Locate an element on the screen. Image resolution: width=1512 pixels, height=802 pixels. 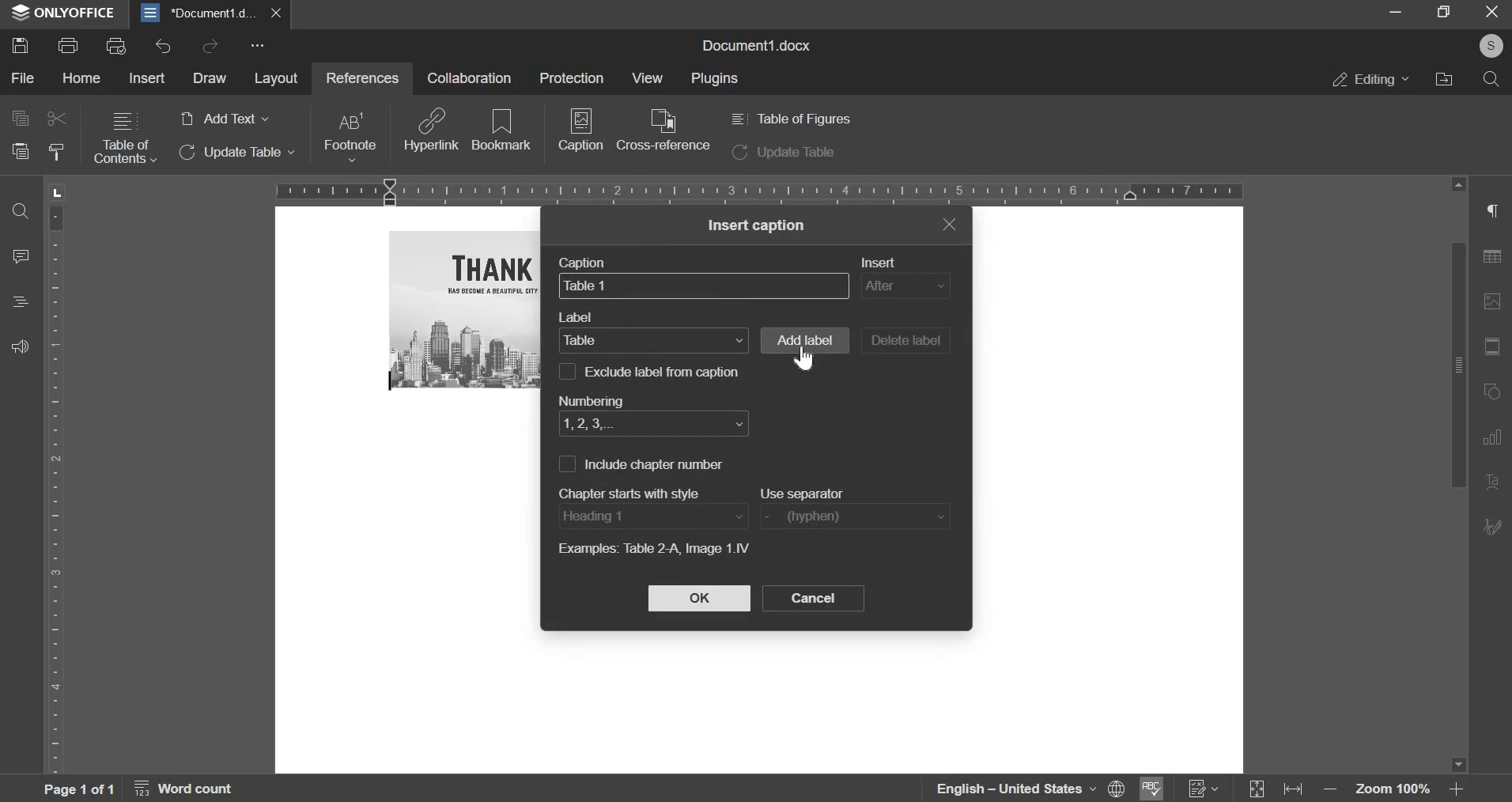
image is located at coordinates (1495, 301).